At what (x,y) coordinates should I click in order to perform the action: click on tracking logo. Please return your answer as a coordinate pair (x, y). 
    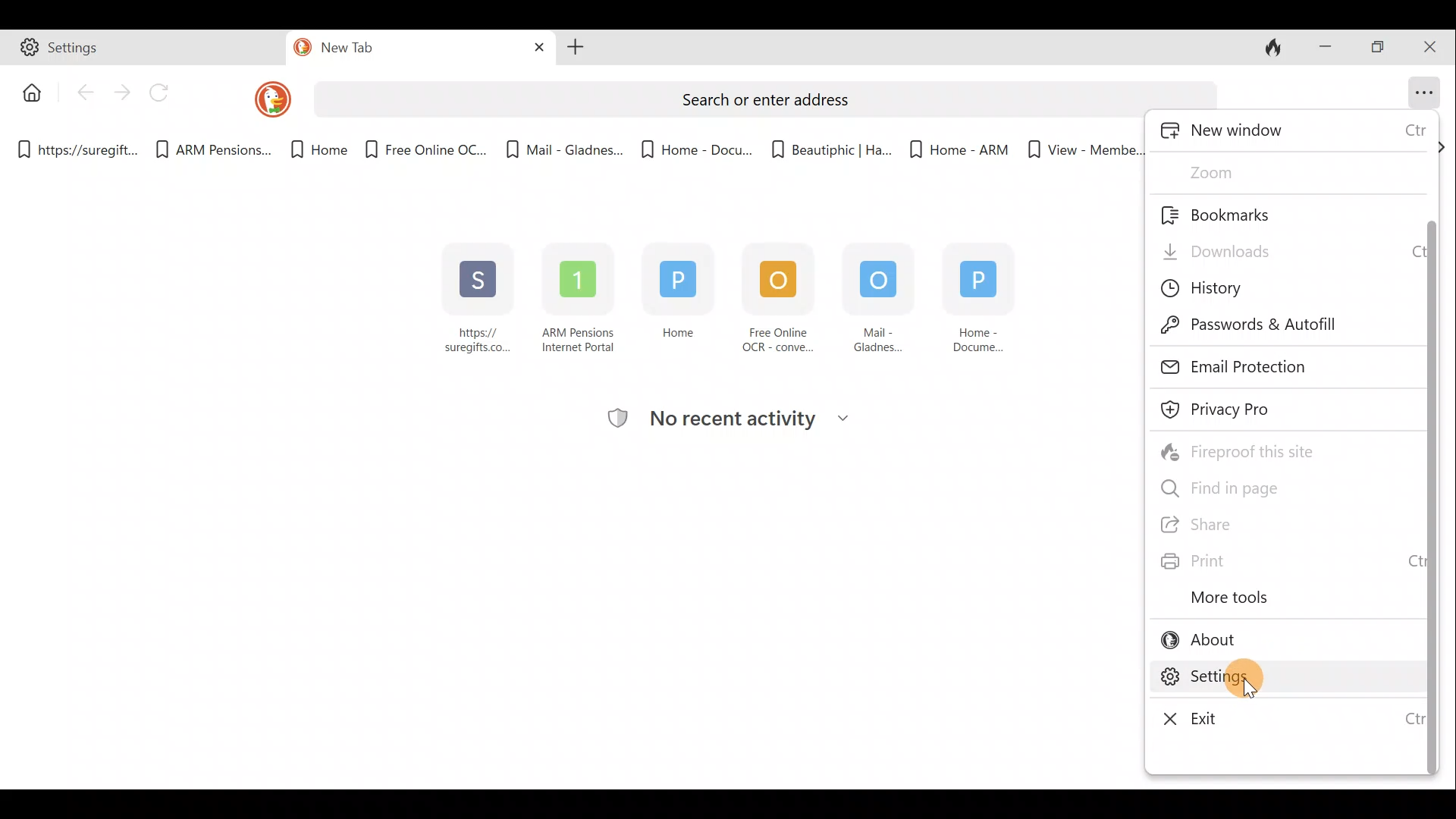
    Looking at the image, I should click on (617, 420).